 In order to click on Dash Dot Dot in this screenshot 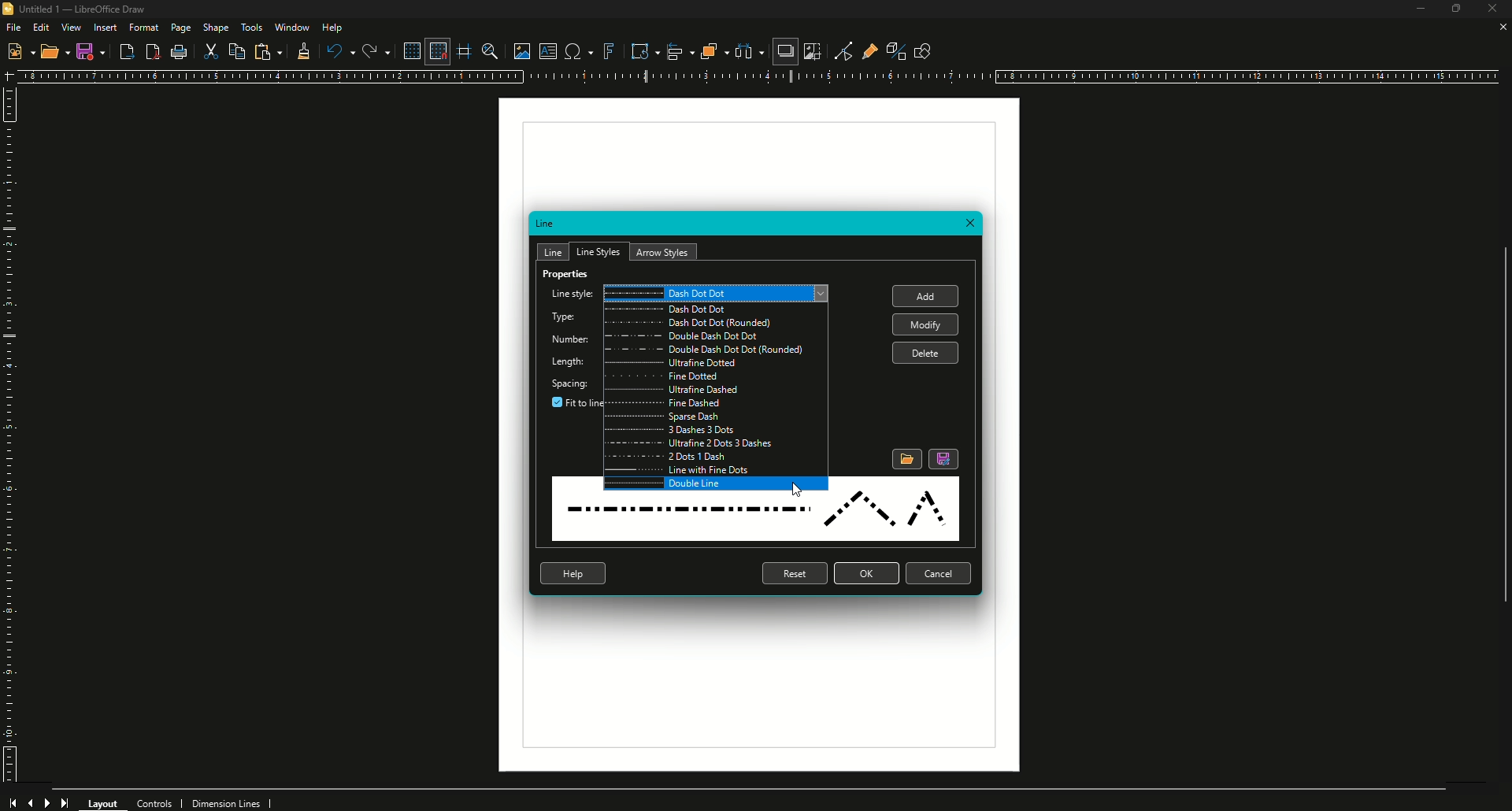, I will do `click(720, 292)`.